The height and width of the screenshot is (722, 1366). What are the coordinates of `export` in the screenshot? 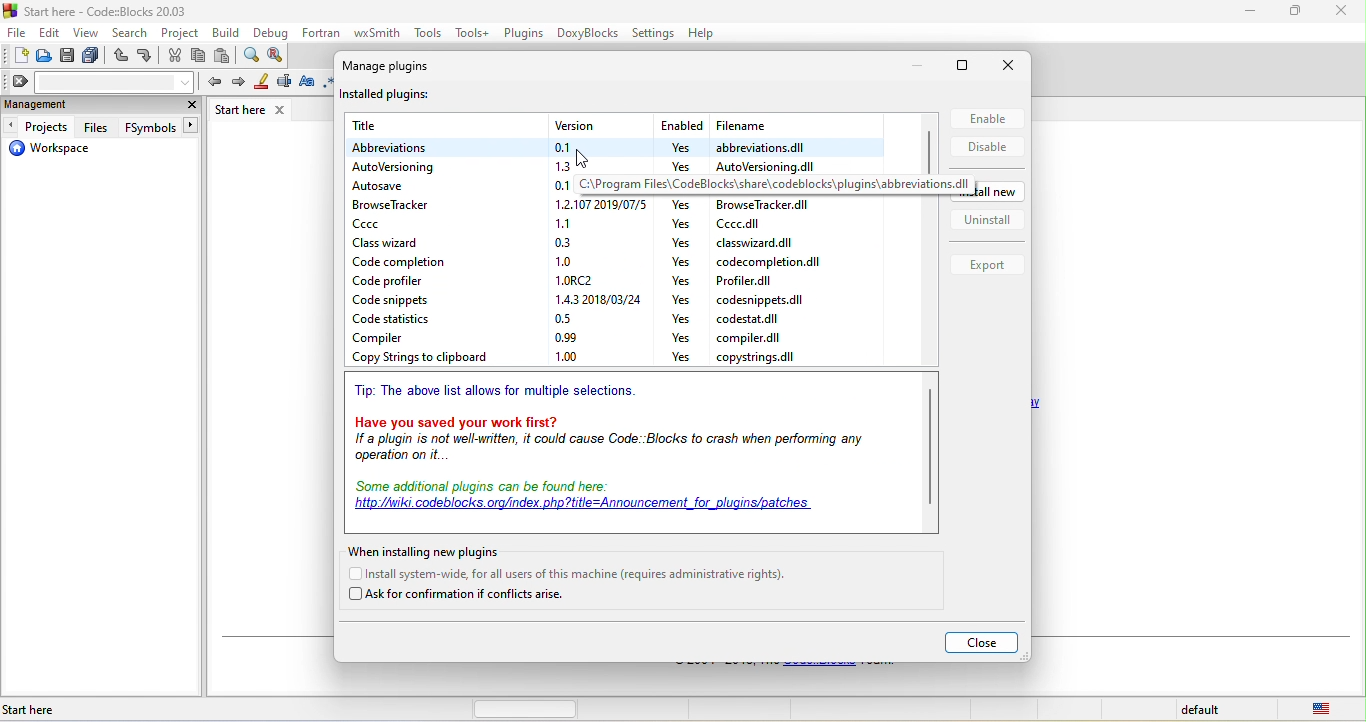 It's located at (987, 264).